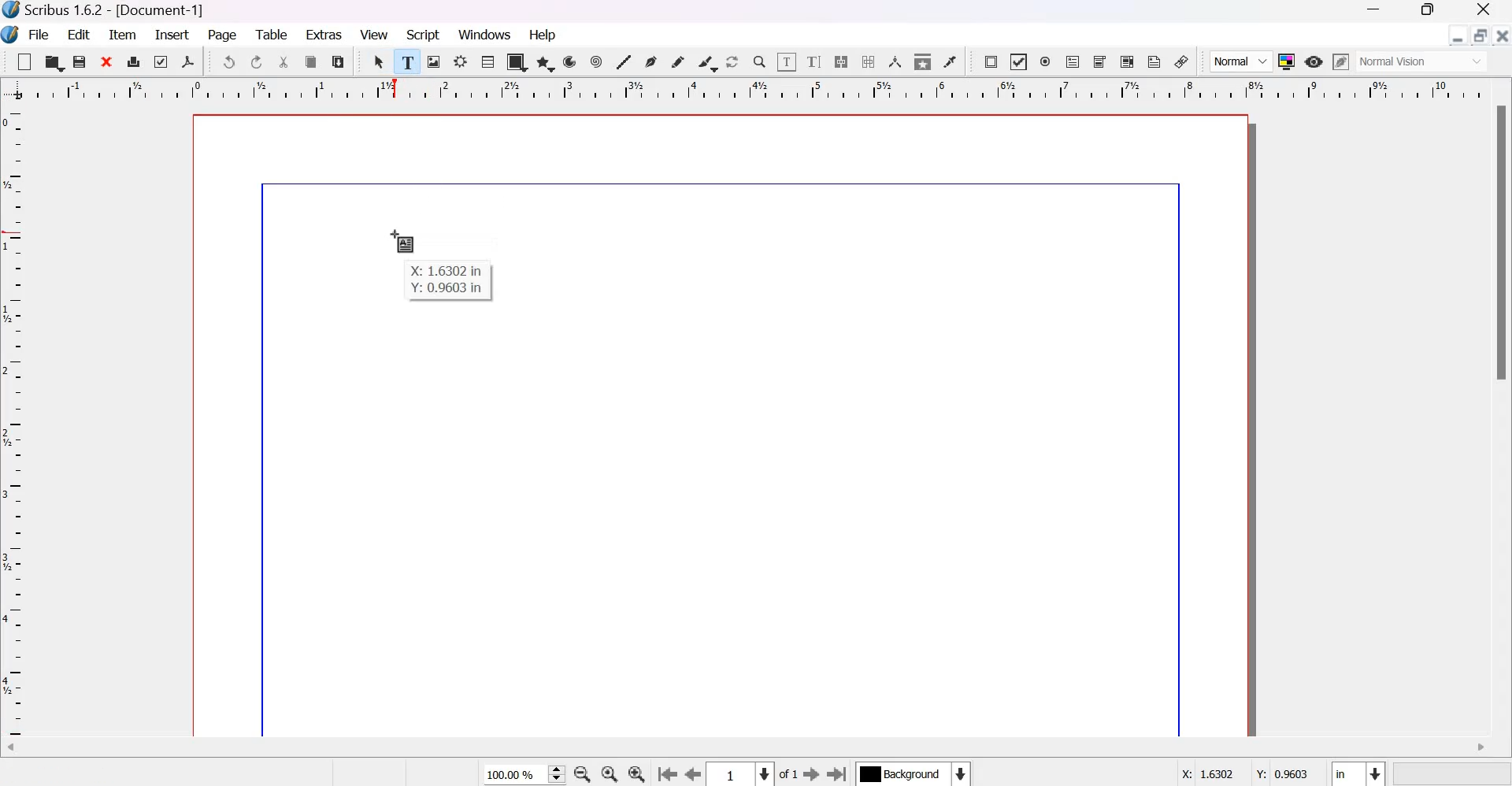  What do you see at coordinates (1202, 773) in the screenshot?
I see `X: 1.6302` at bounding box center [1202, 773].